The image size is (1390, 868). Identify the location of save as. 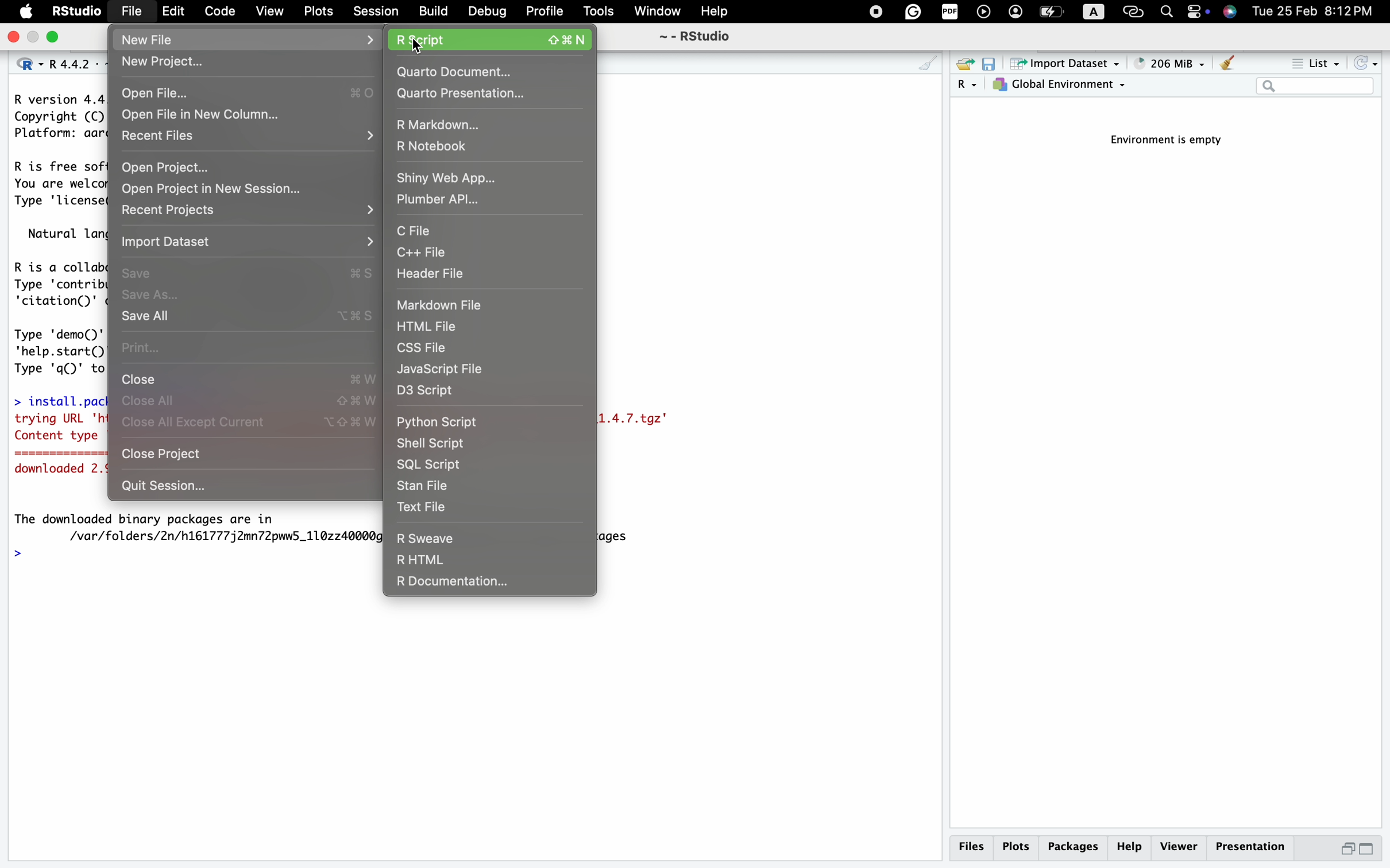
(248, 296).